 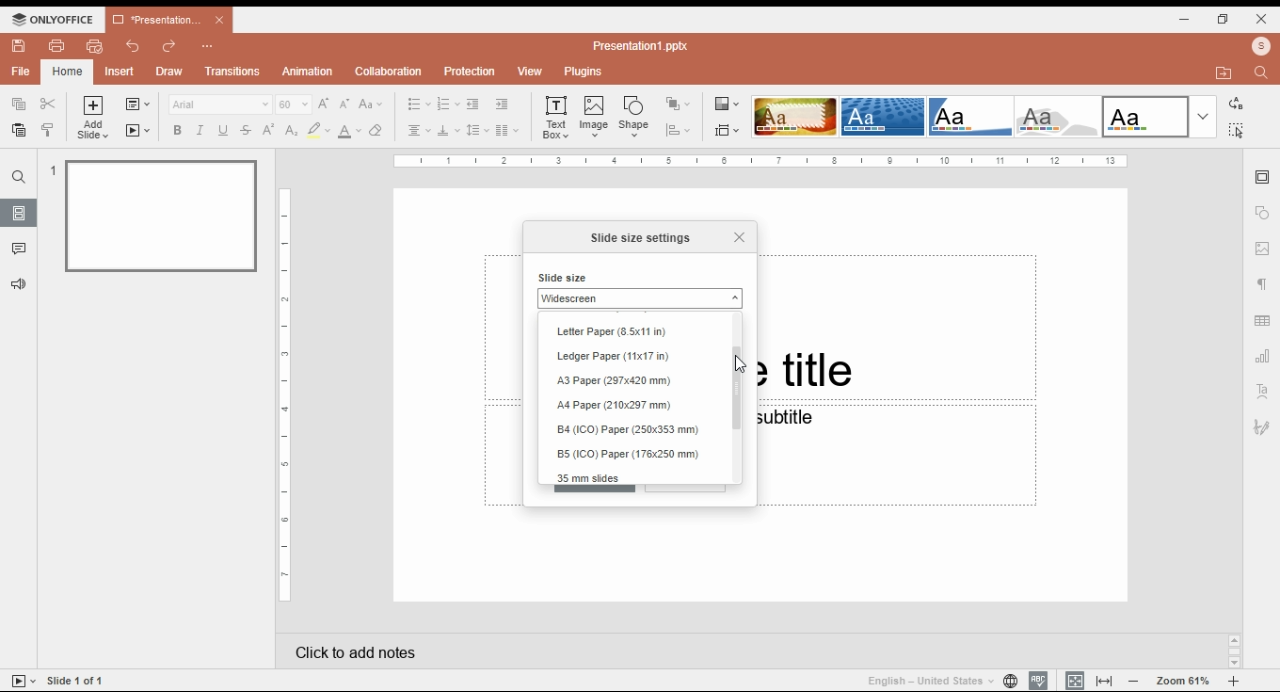 I want to click on zoom out, so click(x=1134, y=680).